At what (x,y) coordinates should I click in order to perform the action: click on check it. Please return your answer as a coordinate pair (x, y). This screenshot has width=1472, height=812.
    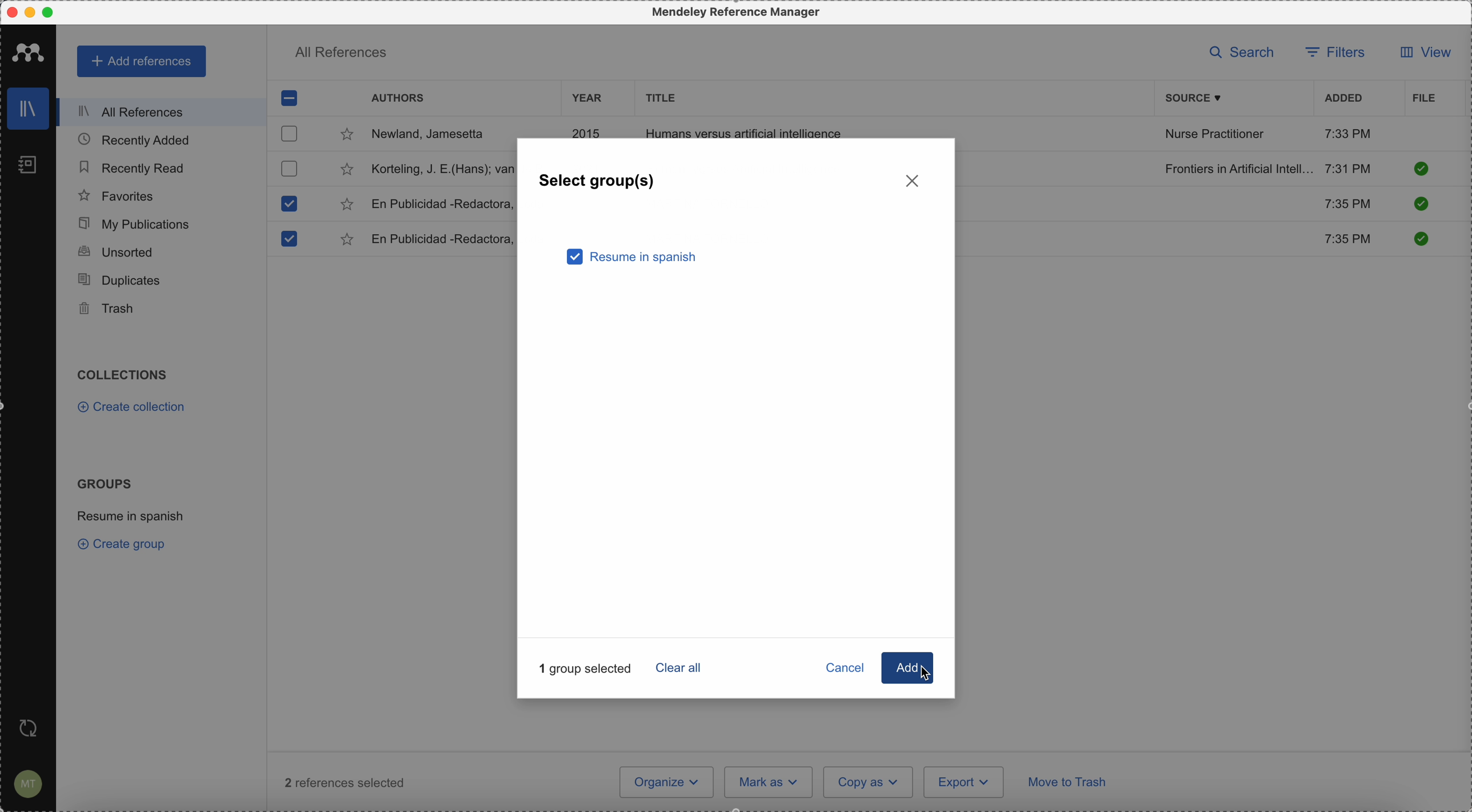
    Looking at the image, I should click on (1419, 205).